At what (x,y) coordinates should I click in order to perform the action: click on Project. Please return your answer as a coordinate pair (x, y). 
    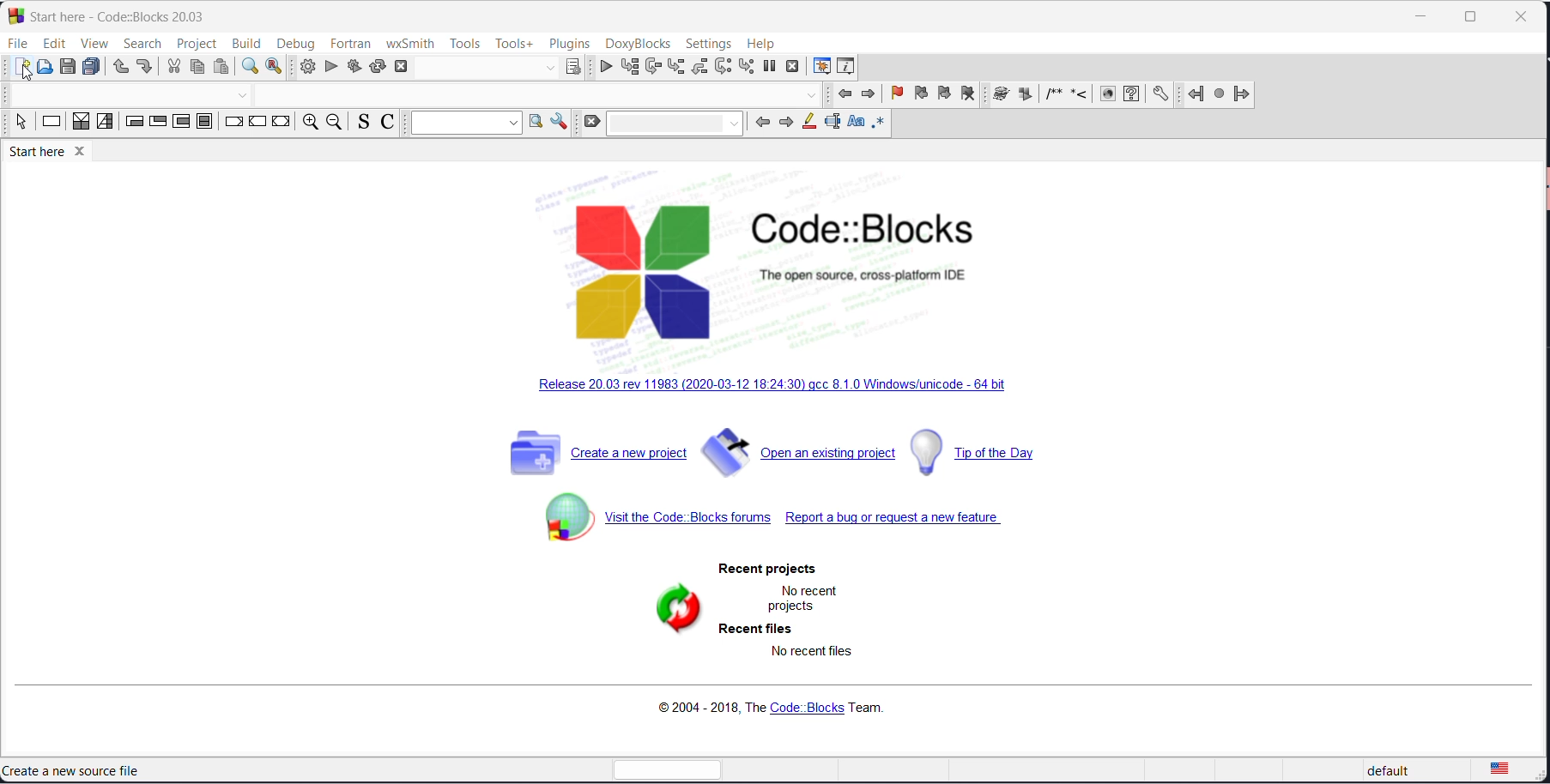
    Looking at the image, I should click on (197, 43).